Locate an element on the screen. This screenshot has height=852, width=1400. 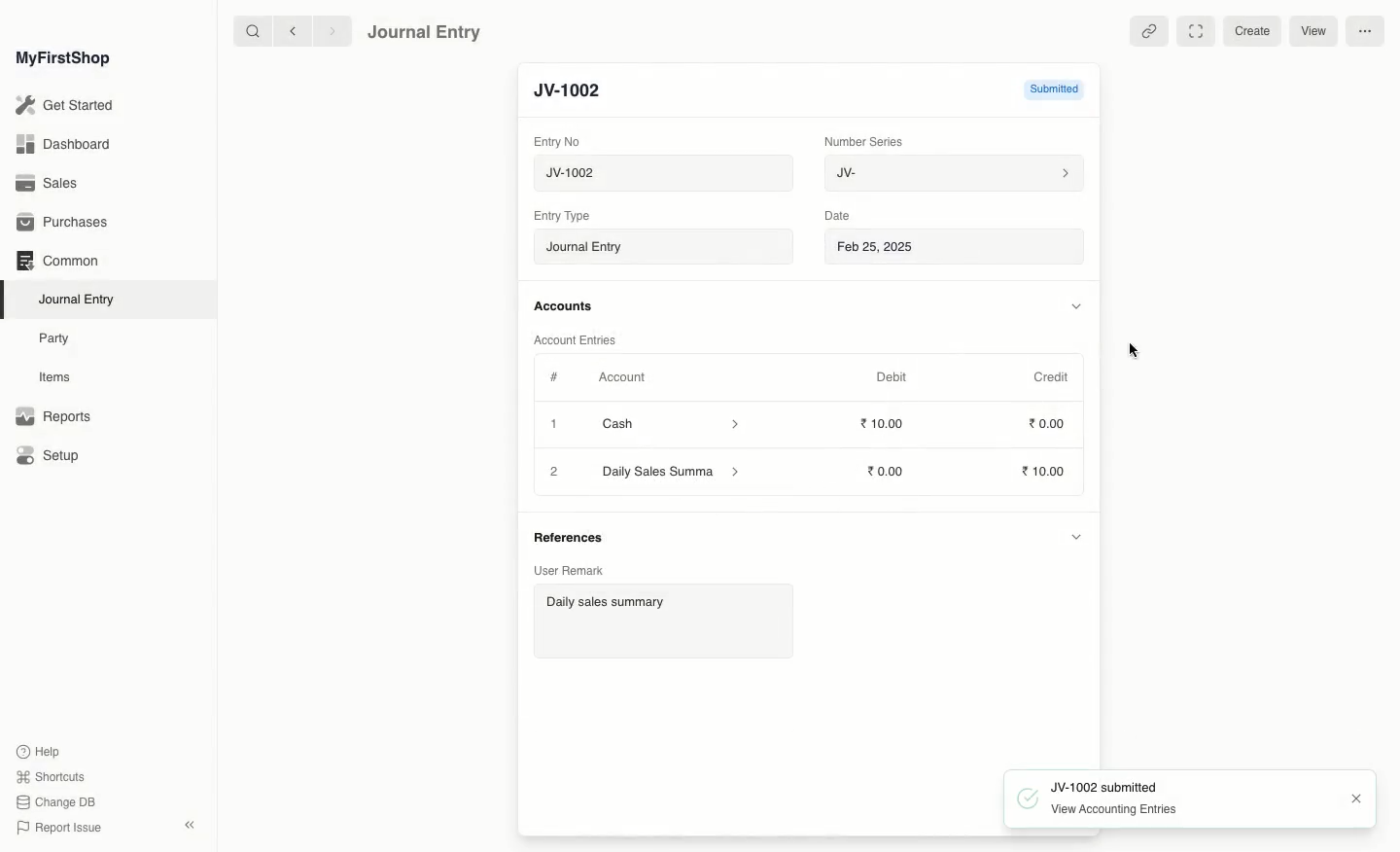
Date is located at coordinates (838, 216).